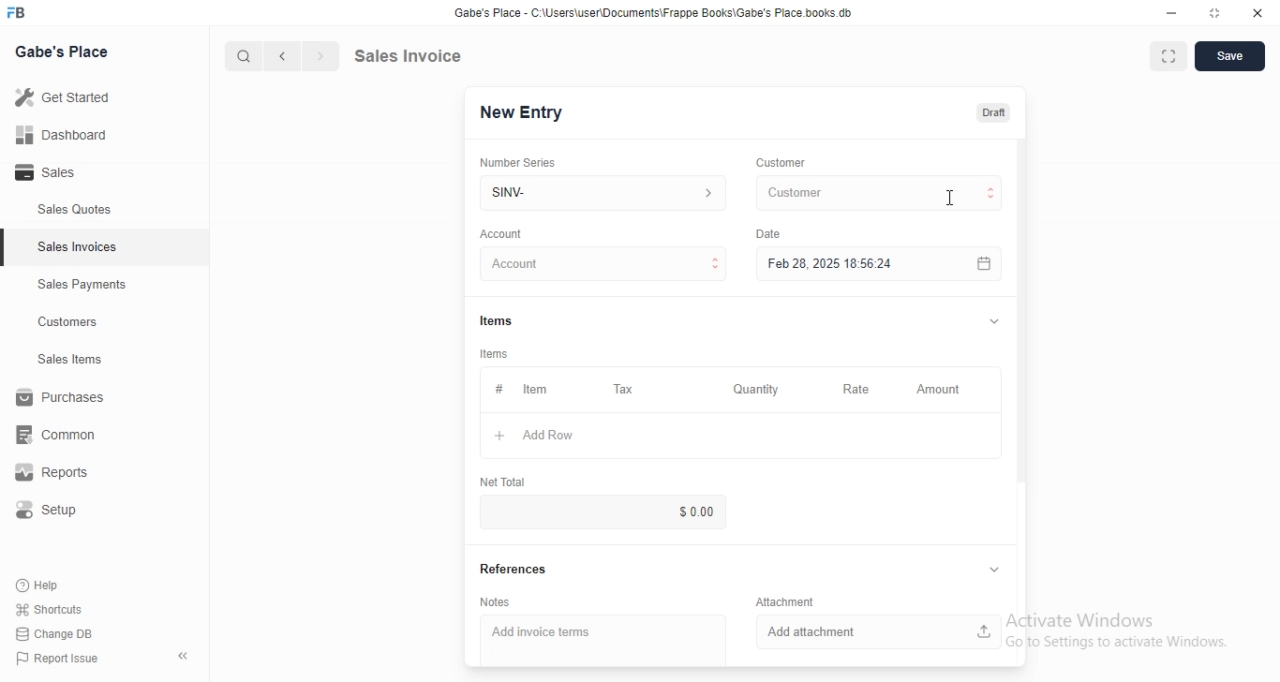 The image size is (1280, 682). Describe the element at coordinates (300, 56) in the screenshot. I see `forward/backward` at that location.